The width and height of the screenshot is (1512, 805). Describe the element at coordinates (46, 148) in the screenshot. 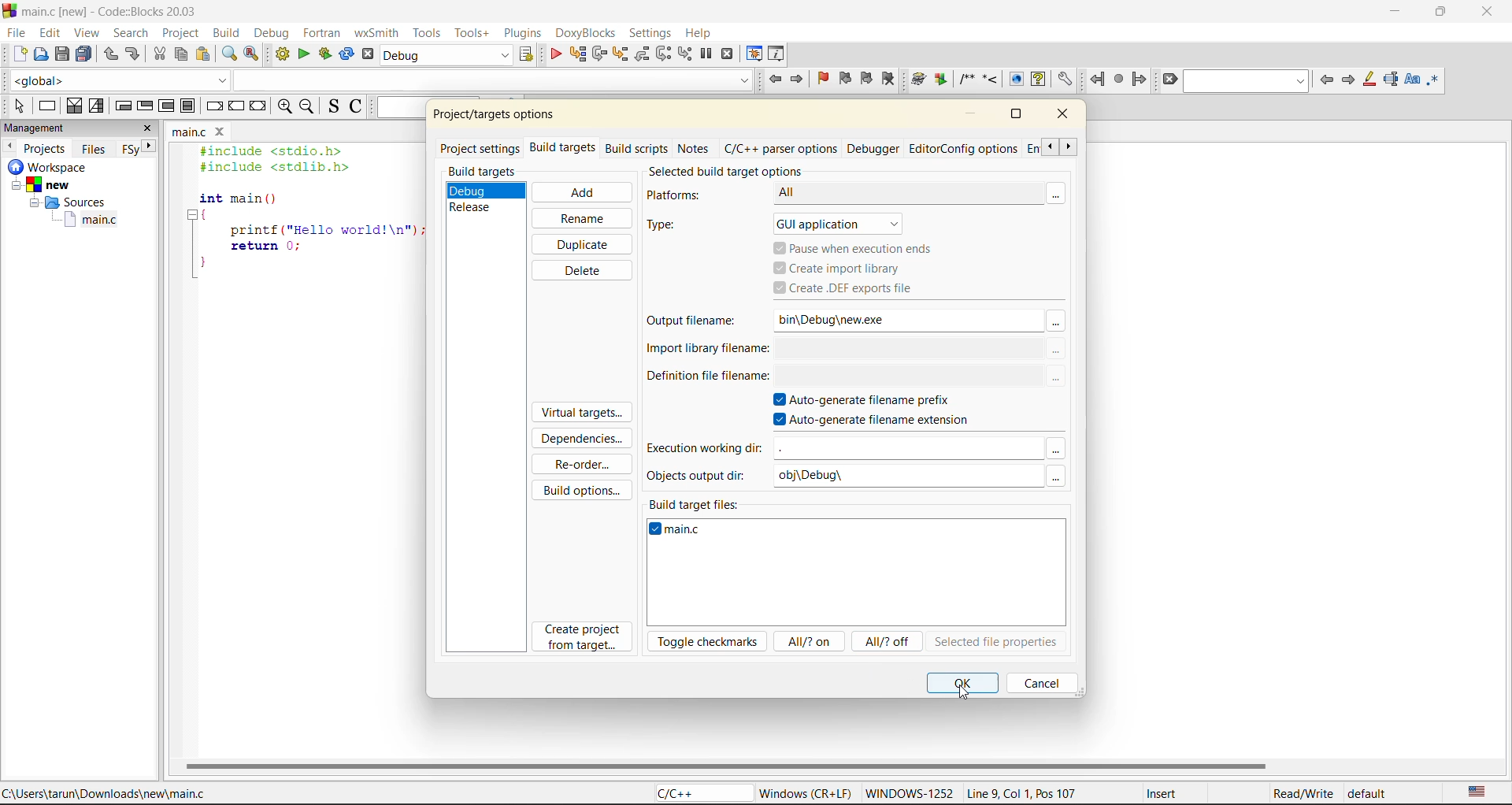

I see `projects` at that location.